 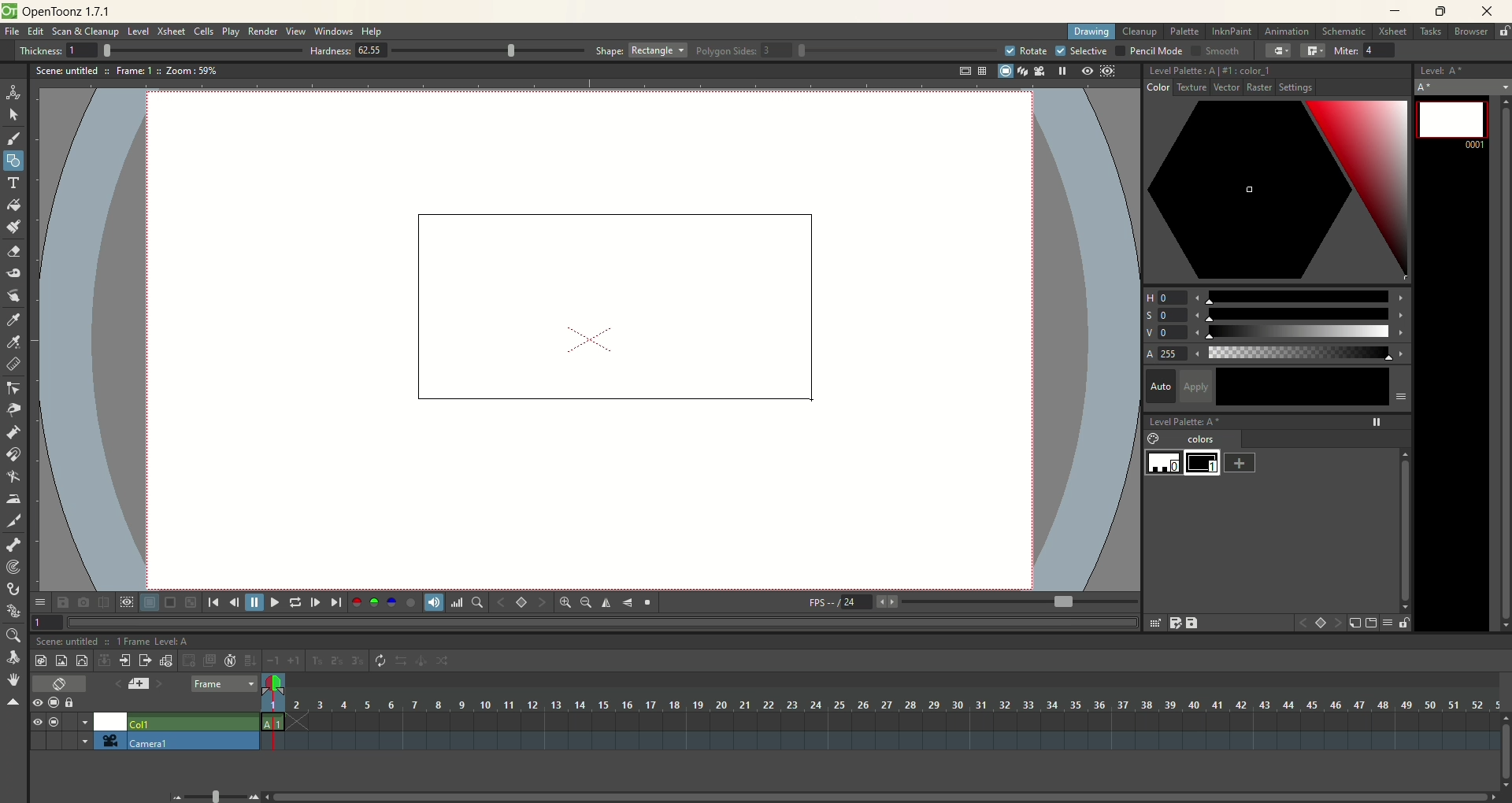 What do you see at coordinates (107, 741) in the screenshot?
I see `select camera` at bounding box center [107, 741].